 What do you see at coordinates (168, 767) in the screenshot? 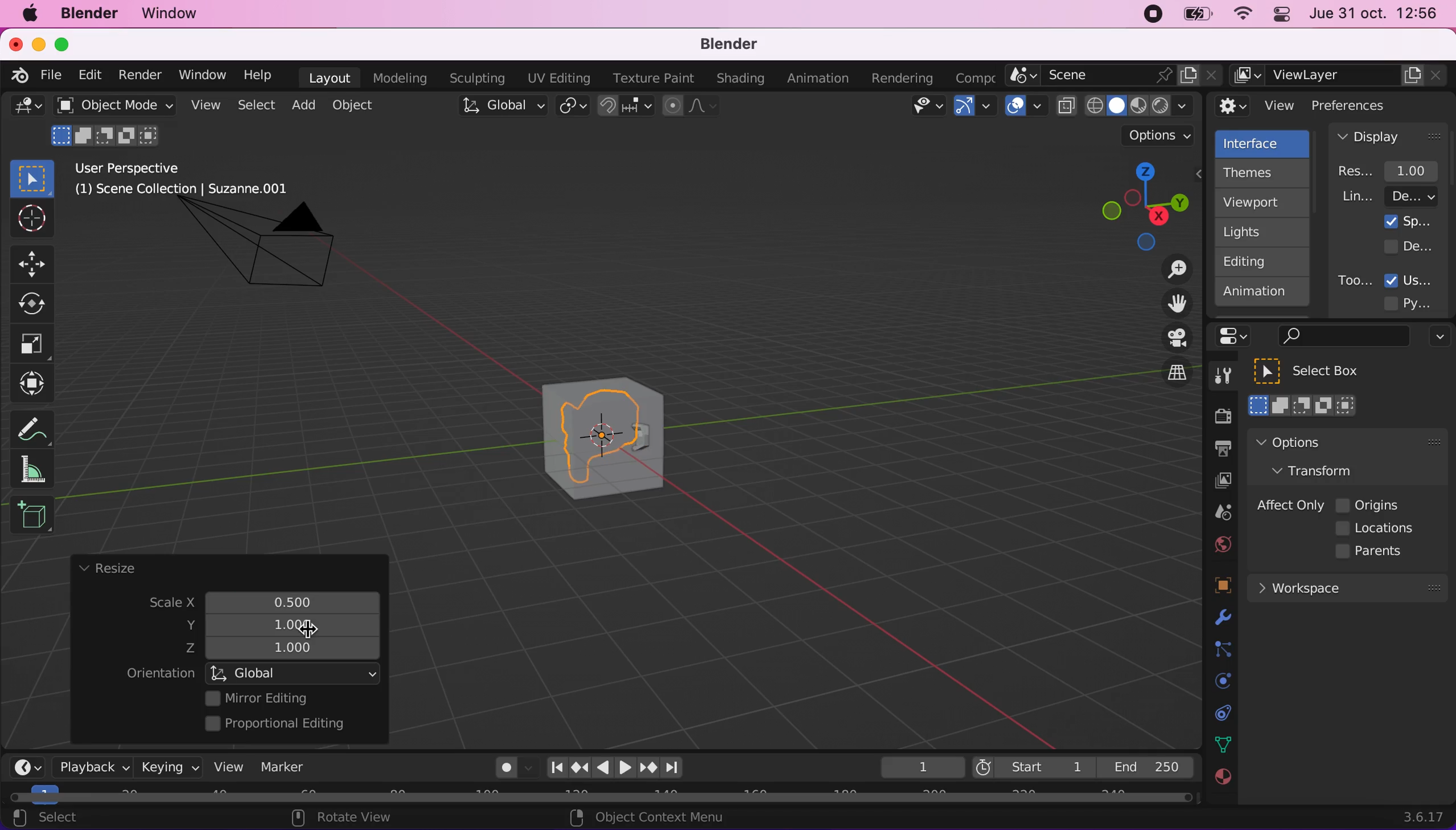
I see `keying` at bounding box center [168, 767].